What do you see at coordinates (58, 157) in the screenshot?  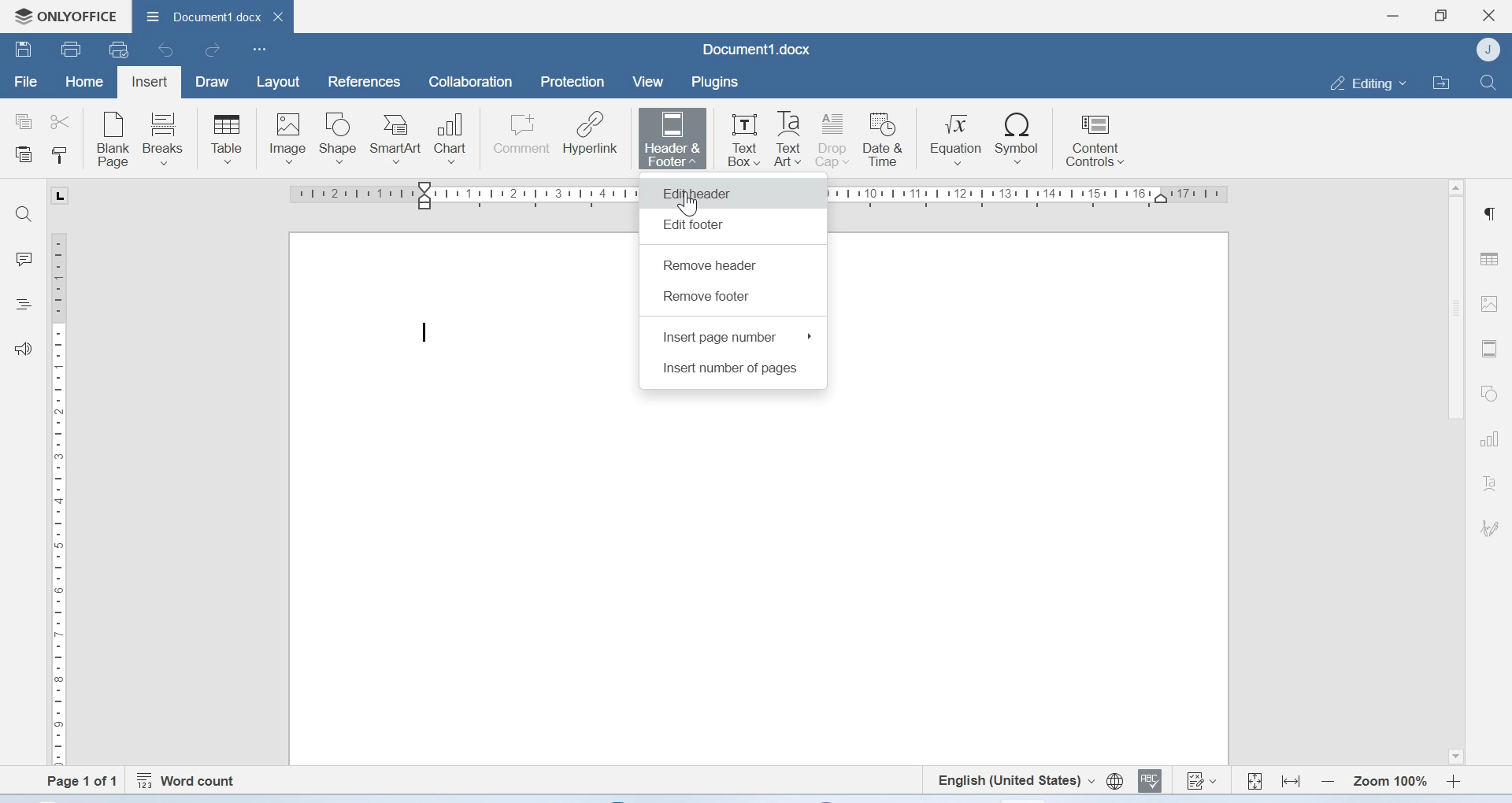 I see `Copy style` at bounding box center [58, 157].